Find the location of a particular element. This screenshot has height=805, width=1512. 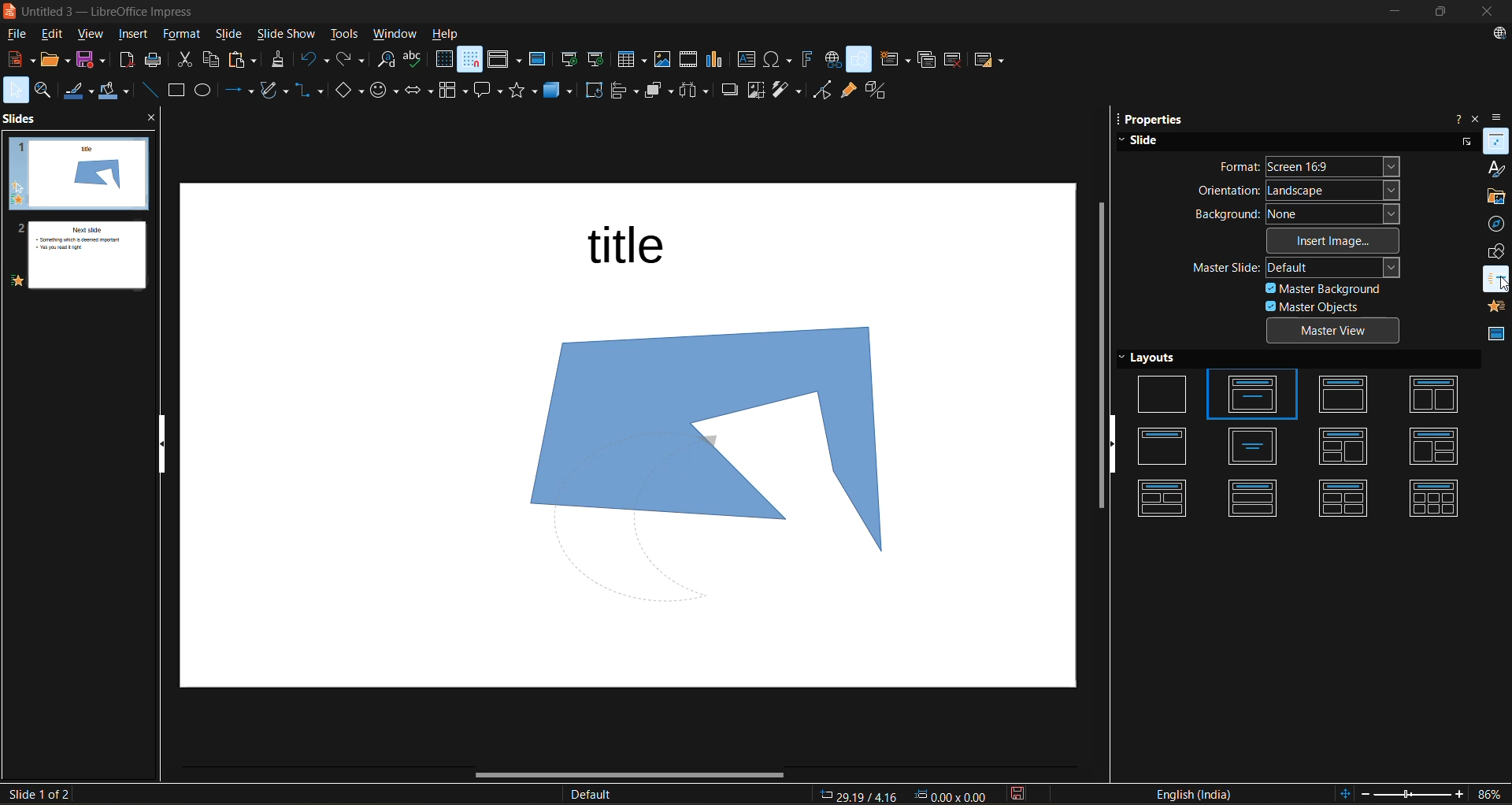

background is located at coordinates (1299, 214).